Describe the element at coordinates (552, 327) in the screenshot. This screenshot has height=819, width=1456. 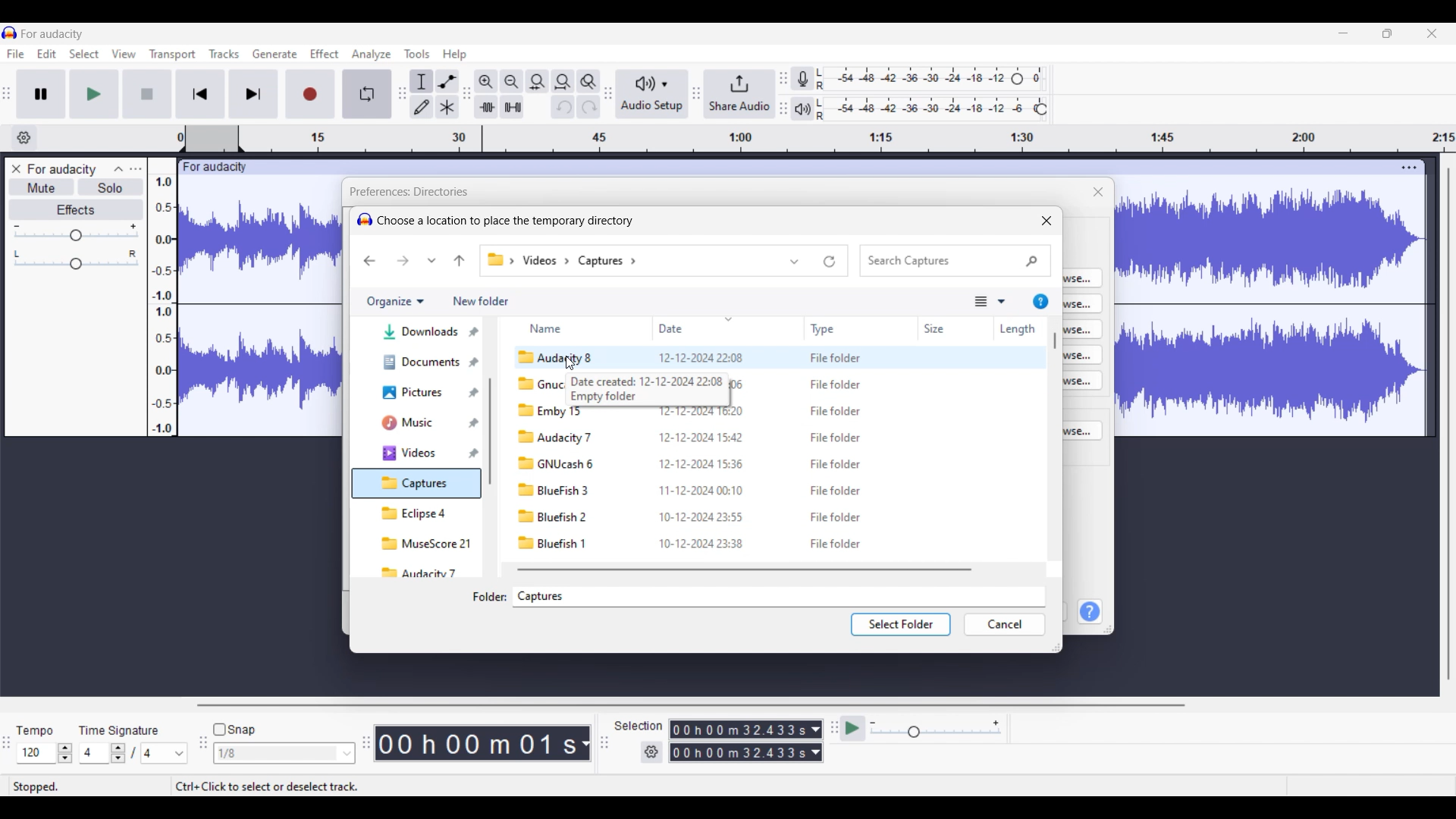
I see `Name column` at that location.